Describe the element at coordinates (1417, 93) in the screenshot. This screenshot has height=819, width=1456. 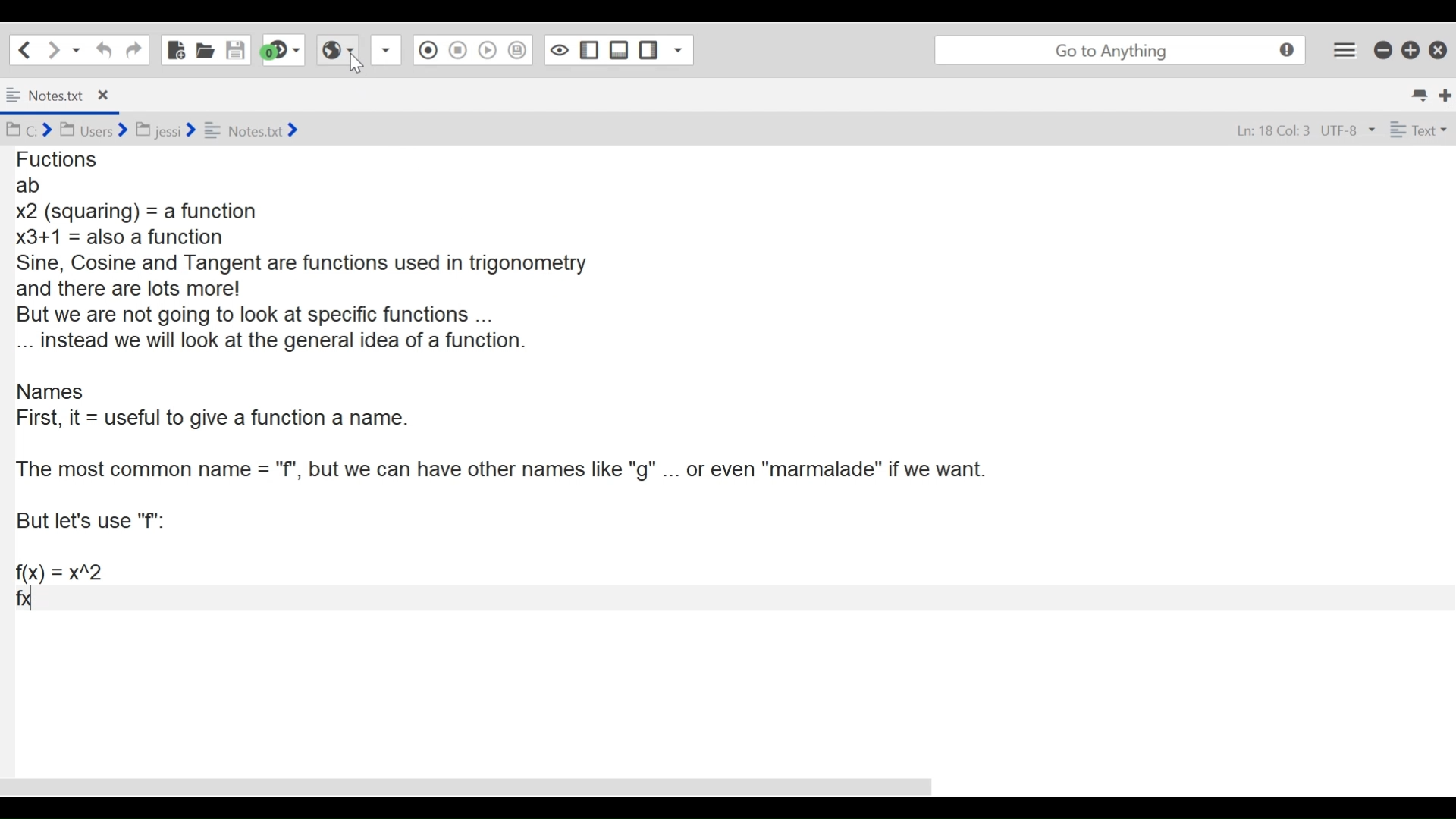
I see `List all tabs` at that location.